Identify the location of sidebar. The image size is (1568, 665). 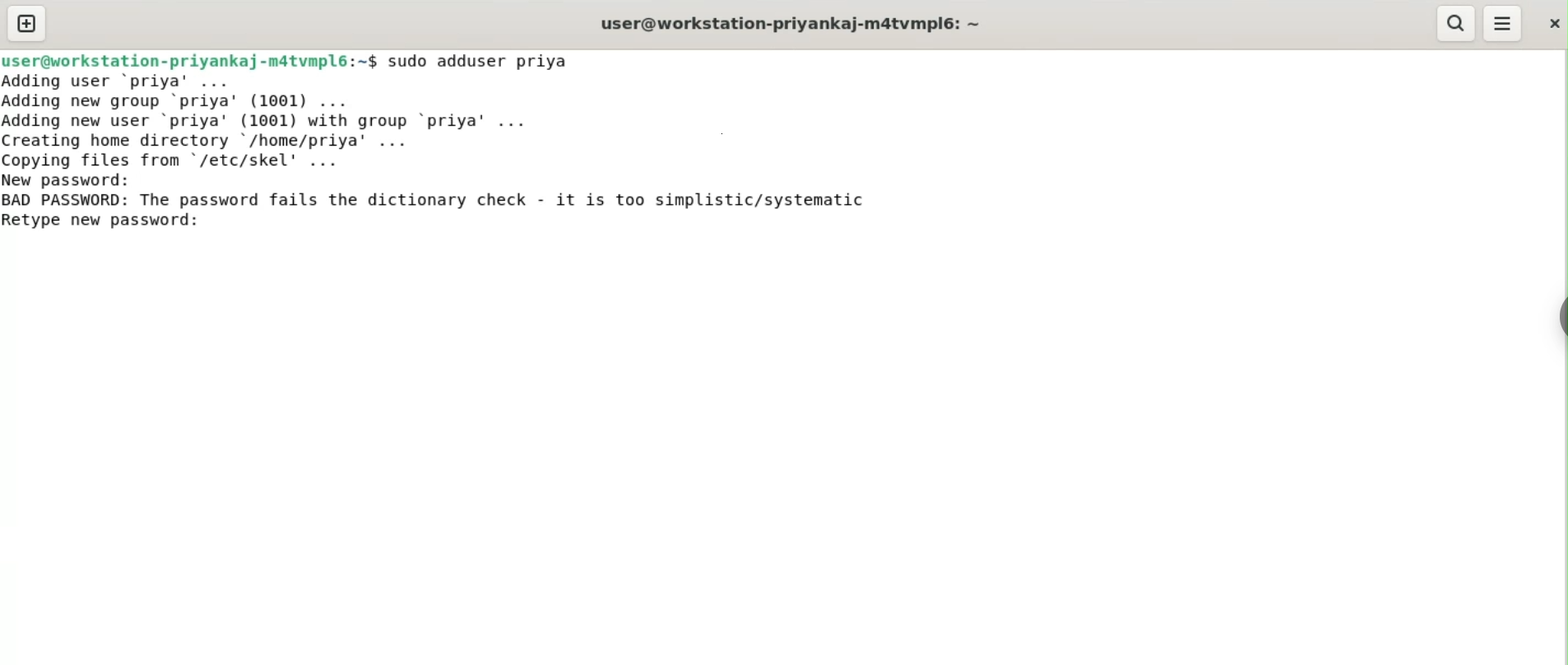
(1560, 318).